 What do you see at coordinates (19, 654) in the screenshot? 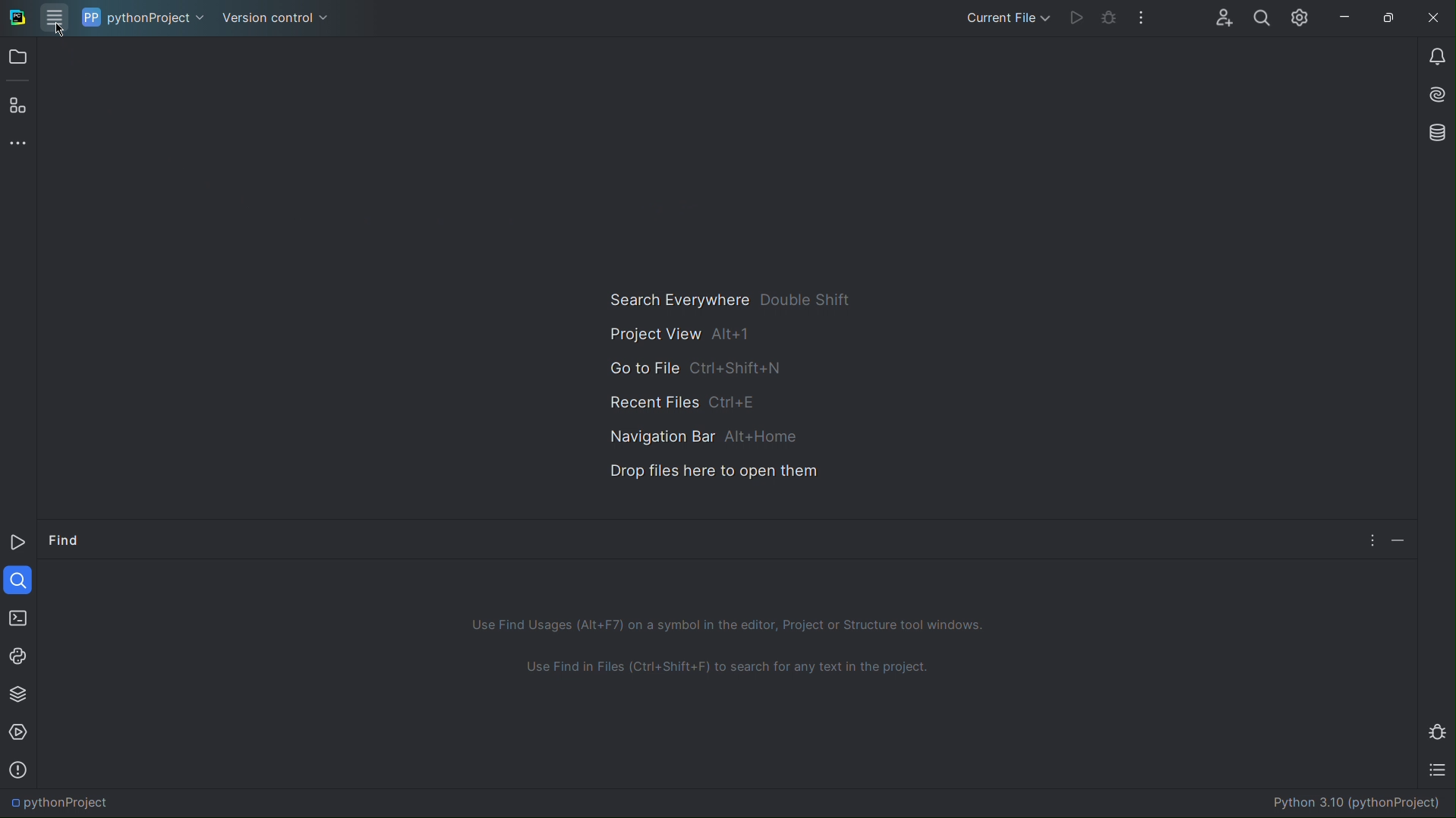
I see `Python Console` at bounding box center [19, 654].